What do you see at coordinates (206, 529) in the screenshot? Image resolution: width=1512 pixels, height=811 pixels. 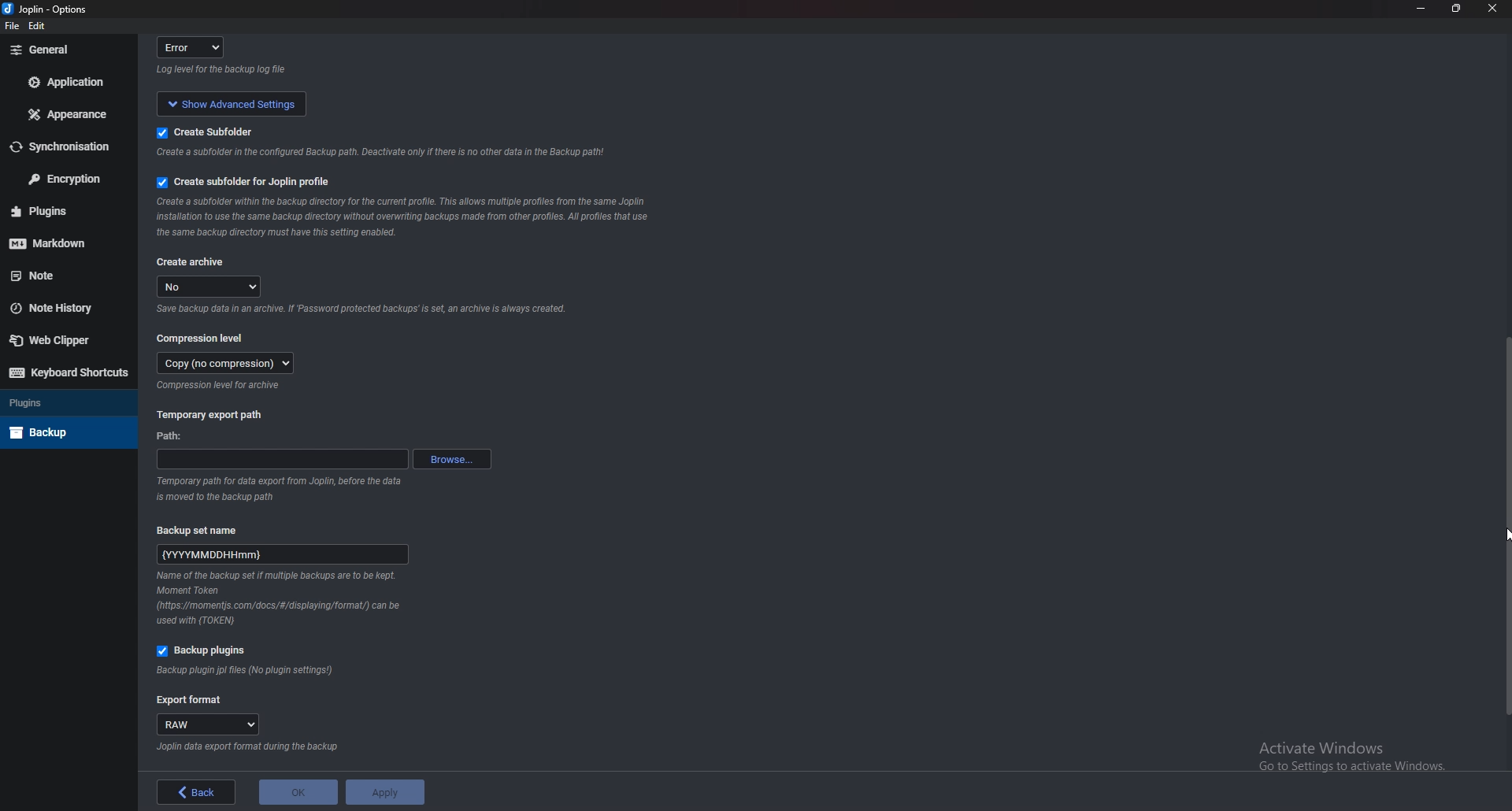 I see `Backup set name` at bounding box center [206, 529].